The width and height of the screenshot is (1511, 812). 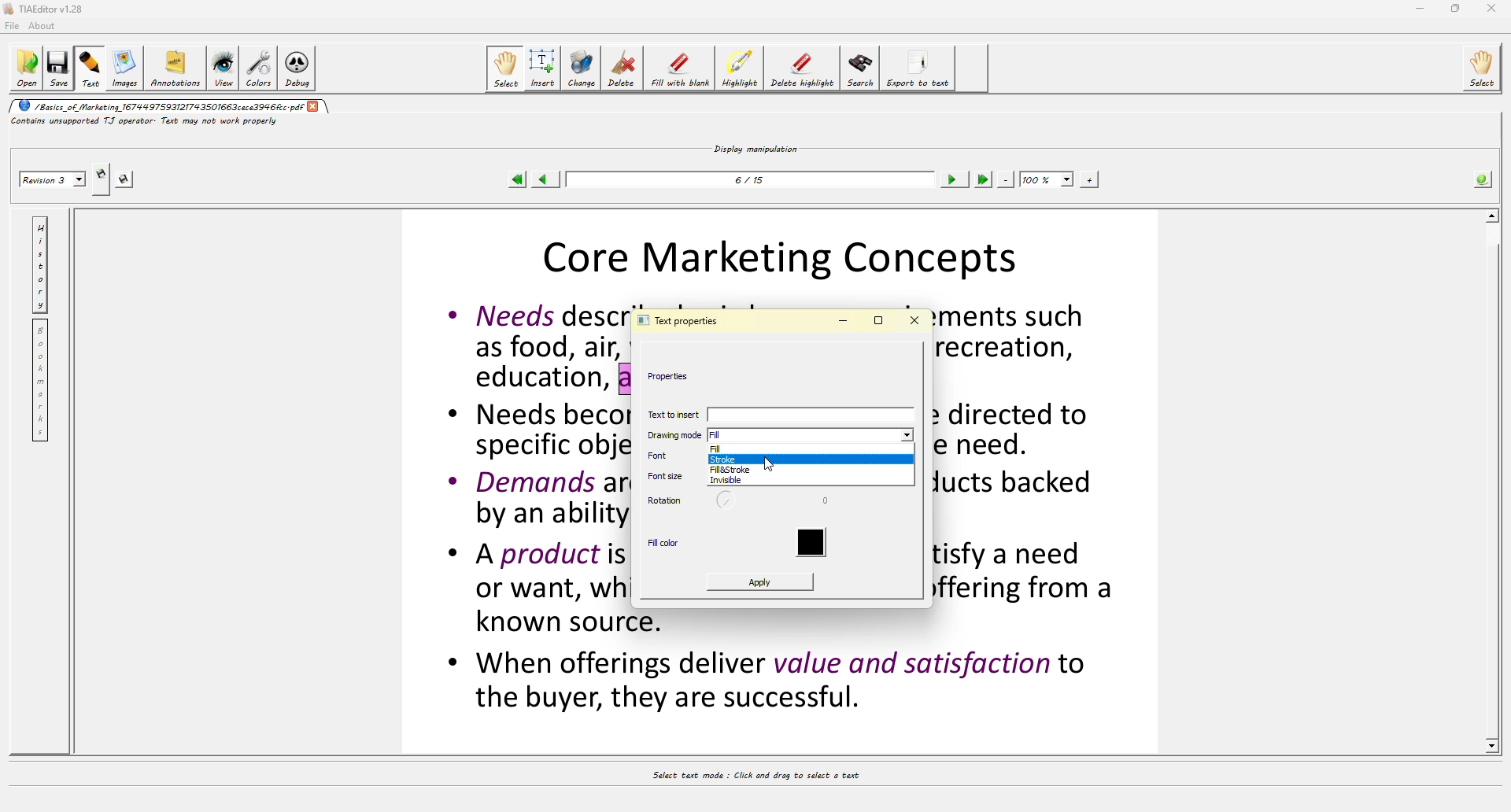 What do you see at coordinates (1088, 180) in the screenshot?
I see `zoom in` at bounding box center [1088, 180].